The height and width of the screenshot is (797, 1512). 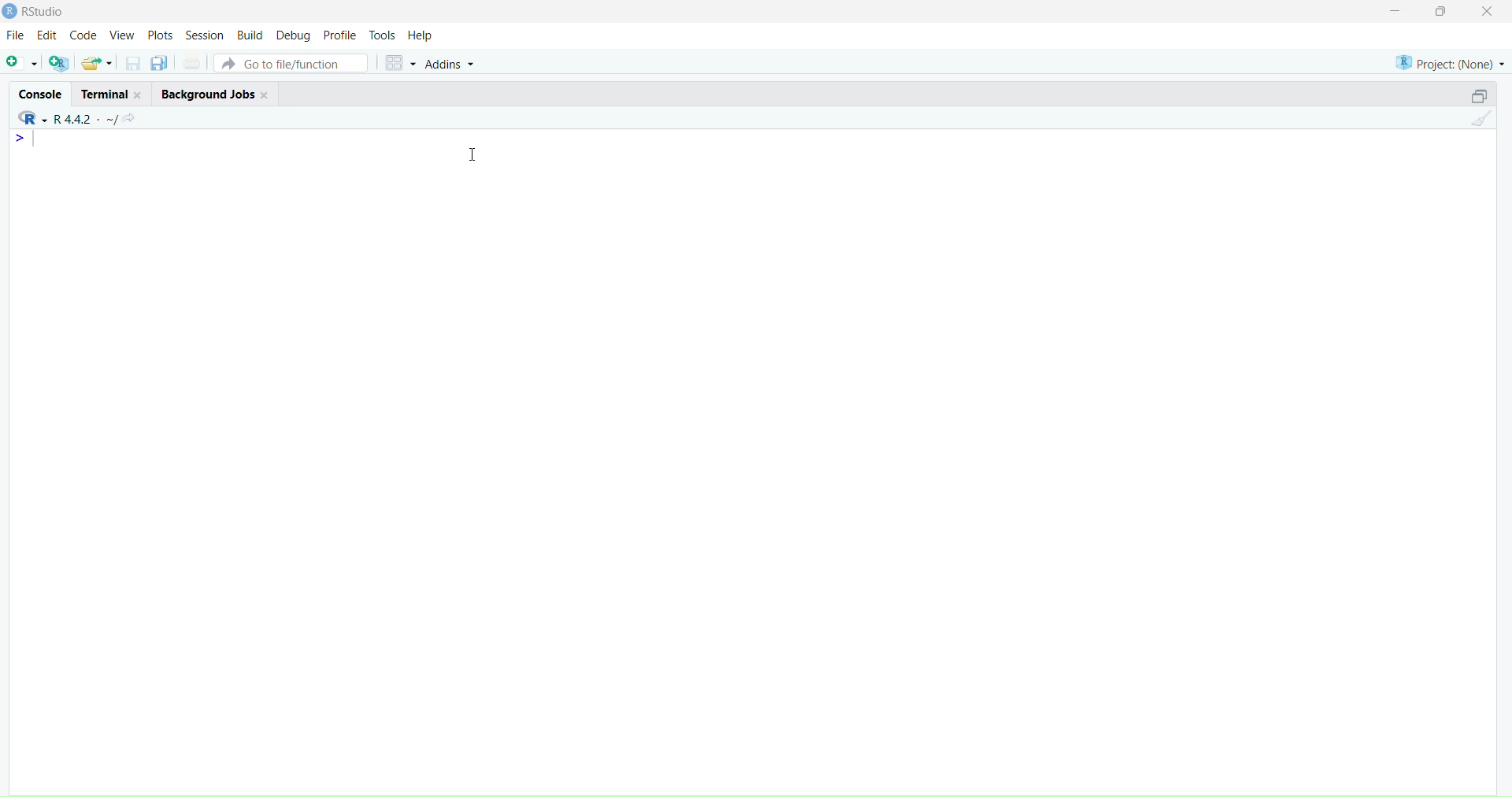 What do you see at coordinates (98, 63) in the screenshot?
I see `share as` at bounding box center [98, 63].